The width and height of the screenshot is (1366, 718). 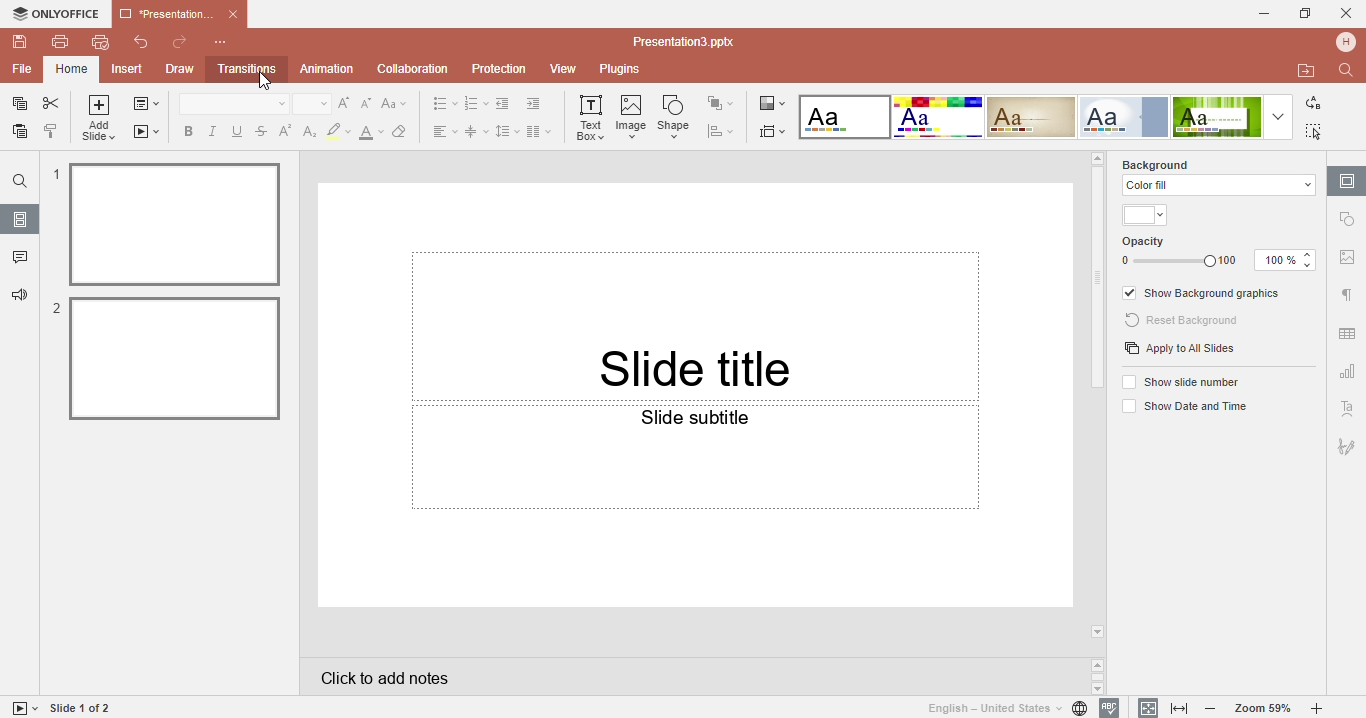 What do you see at coordinates (372, 130) in the screenshot?
I see `Font color` at bounding box center [372, 130].